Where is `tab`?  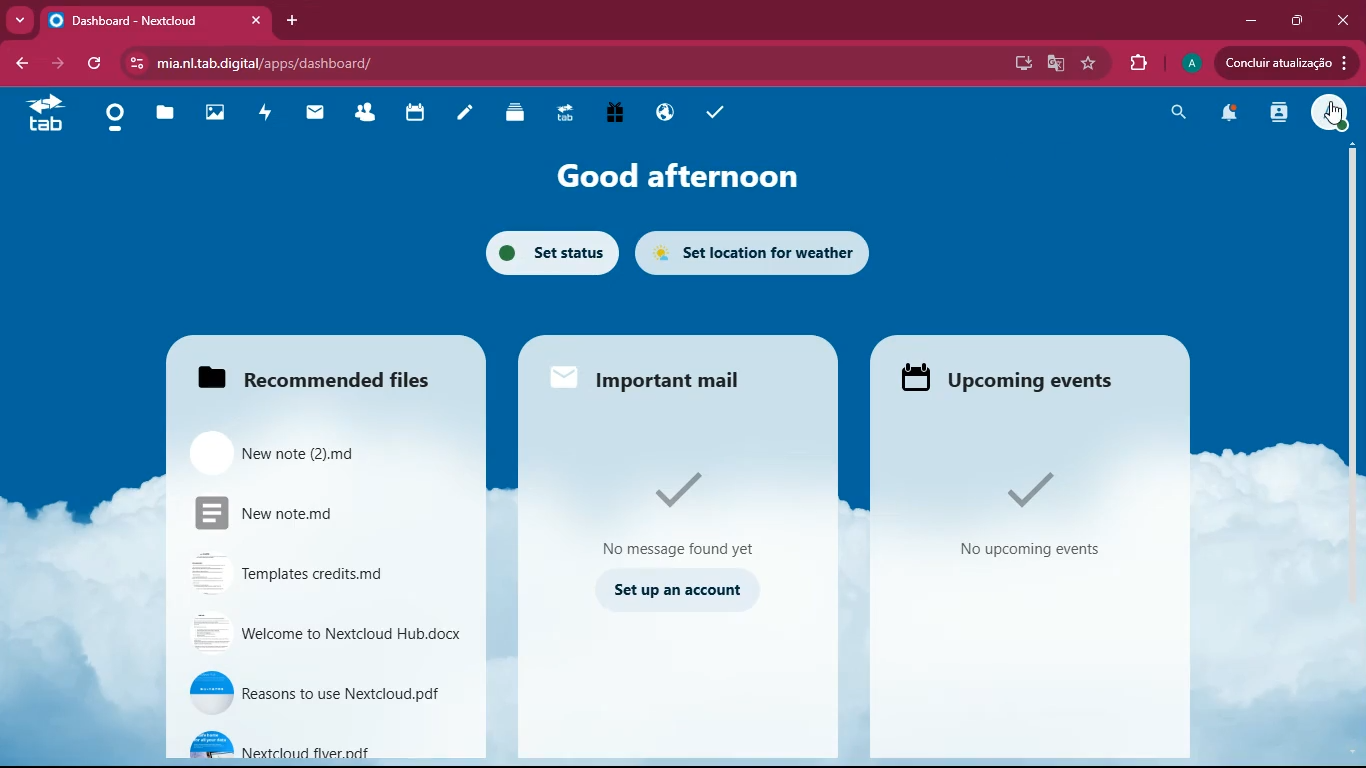
tab is located at coordinates (44, 112).